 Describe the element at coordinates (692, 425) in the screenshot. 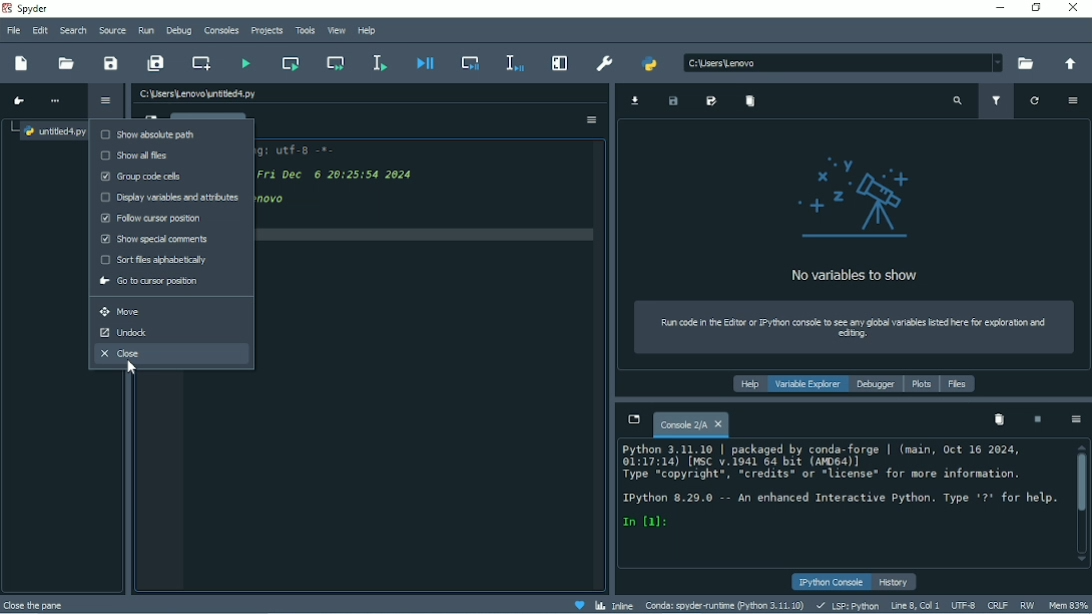

I see `Console` at that location.